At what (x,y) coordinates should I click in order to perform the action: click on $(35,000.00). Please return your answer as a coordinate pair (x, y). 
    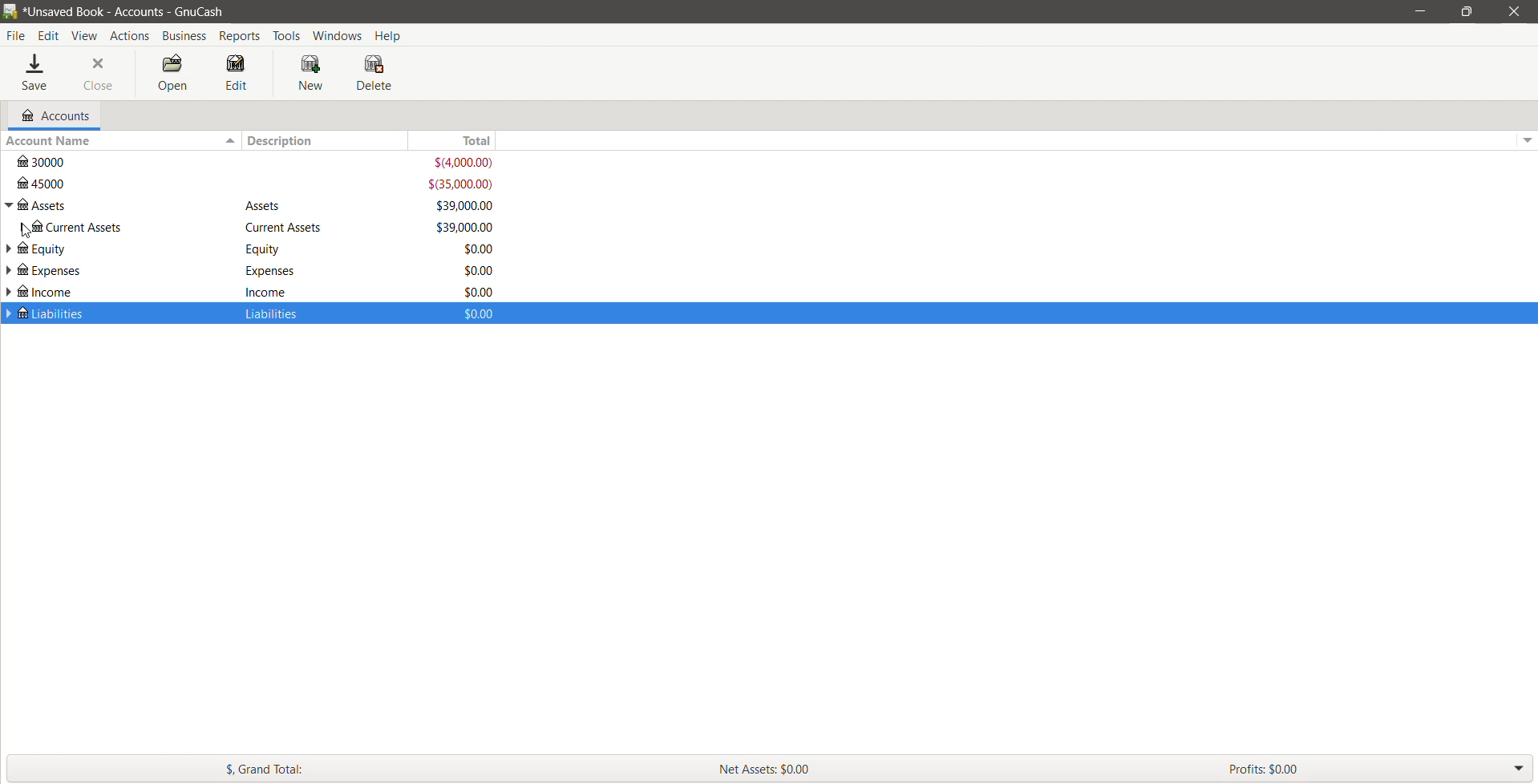
    Looking at the image, I should click on (459, 184).